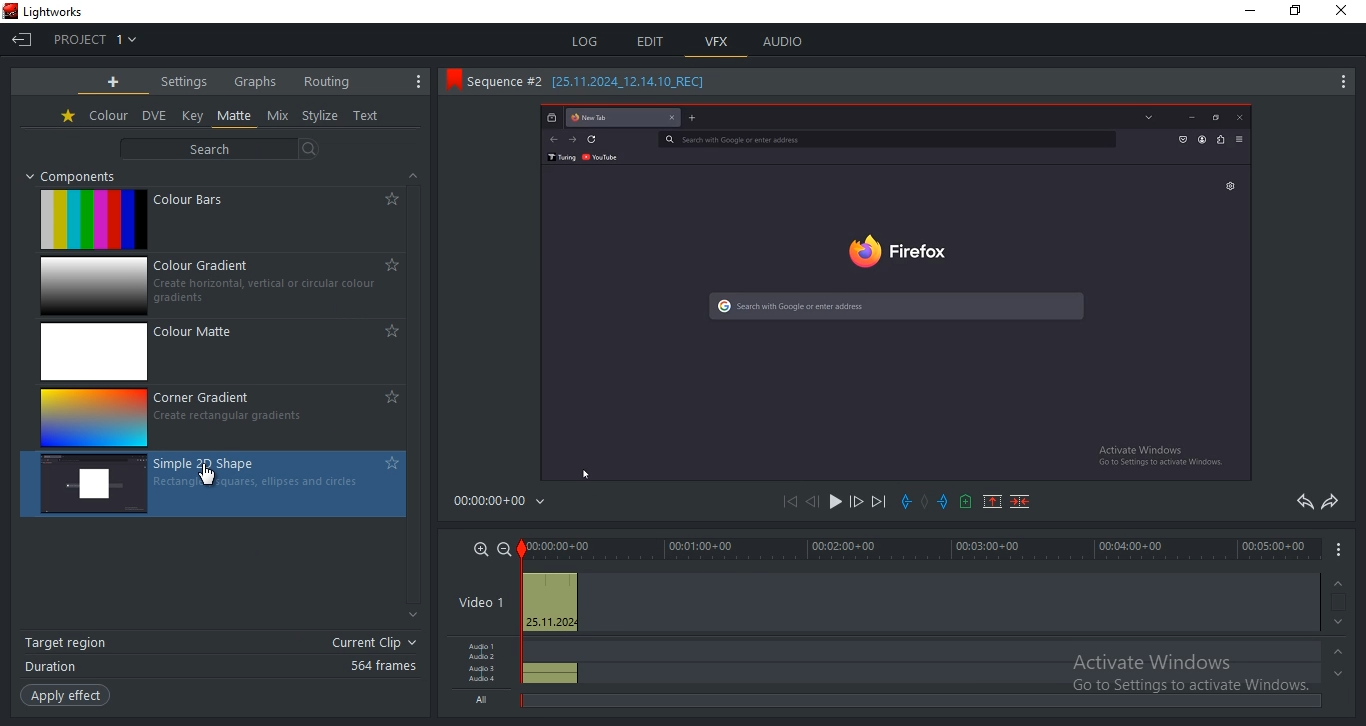  I want to click on audio, so click(483, 673).